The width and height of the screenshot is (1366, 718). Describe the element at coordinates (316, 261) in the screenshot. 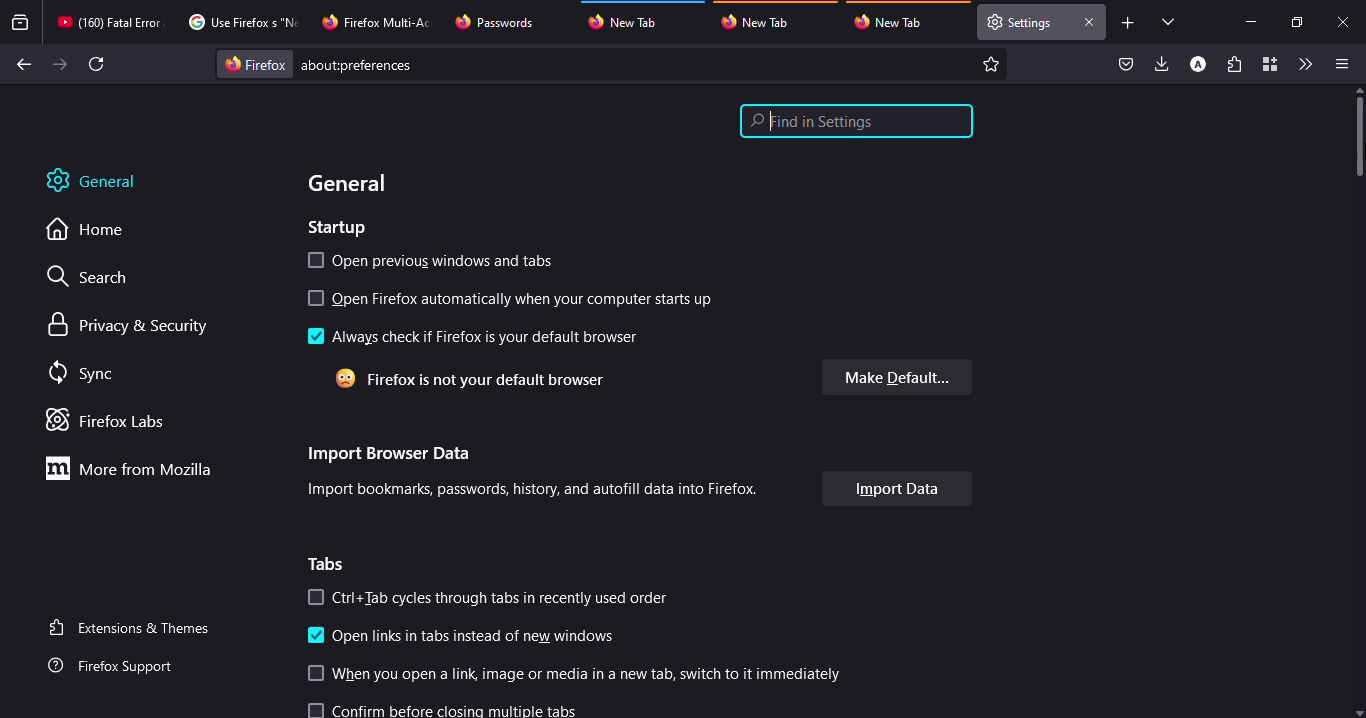

I see `select` at that location.